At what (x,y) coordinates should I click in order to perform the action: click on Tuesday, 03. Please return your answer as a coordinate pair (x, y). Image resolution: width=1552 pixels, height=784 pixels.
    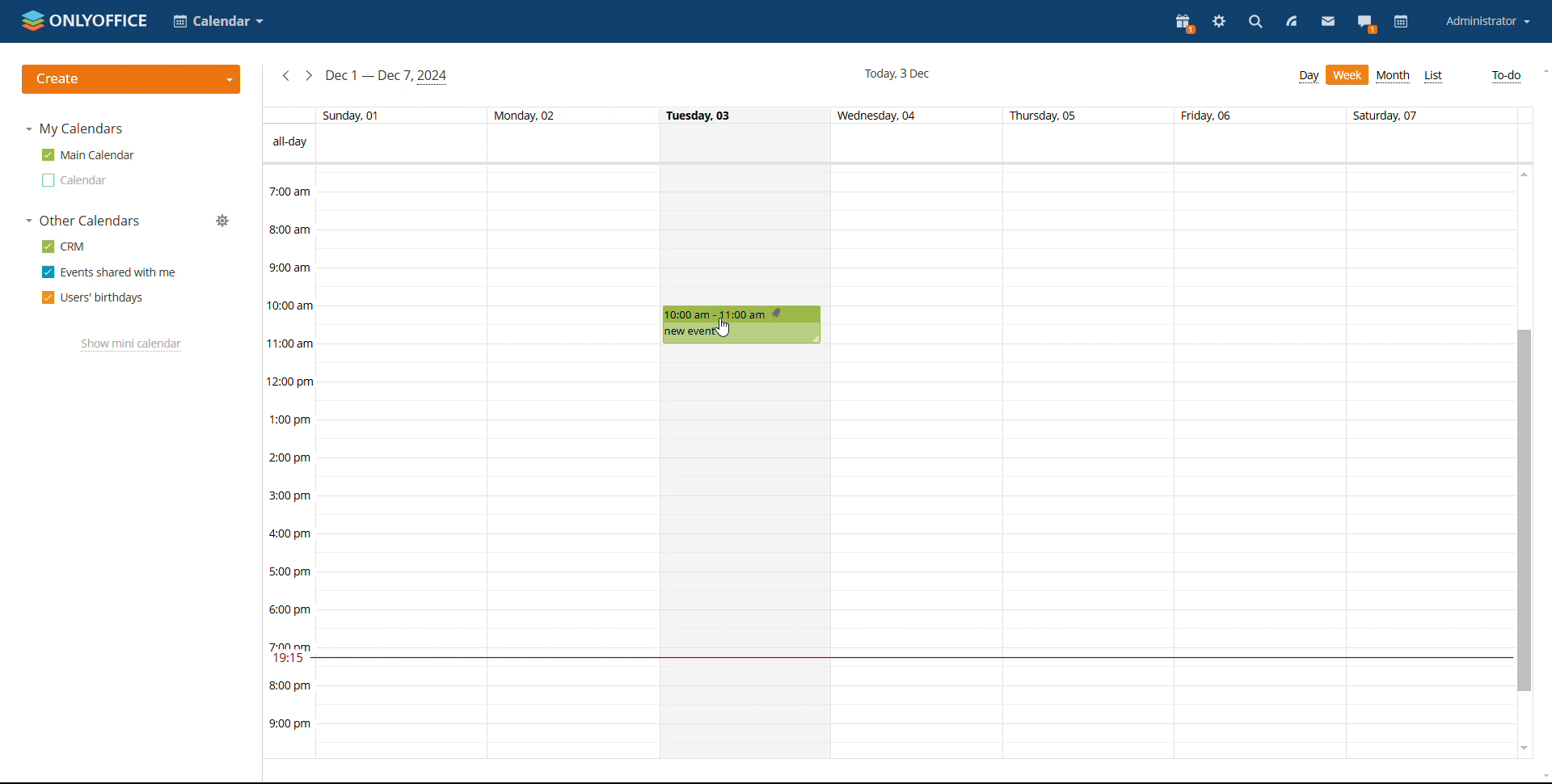
    Looking at the image, I should click on (701, 114).